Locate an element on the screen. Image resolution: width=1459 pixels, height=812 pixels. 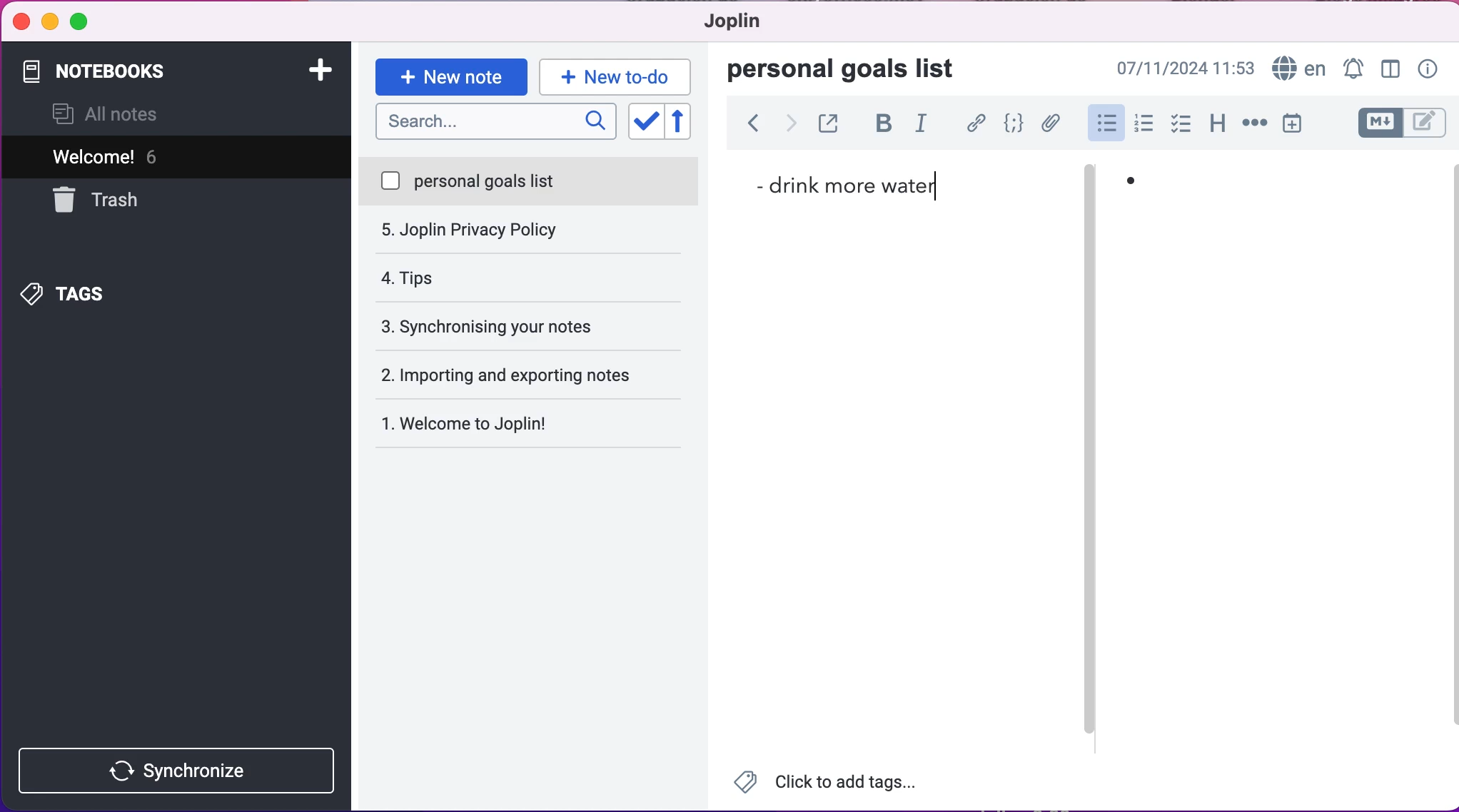
drink more water is located at coordinates (844, 184).